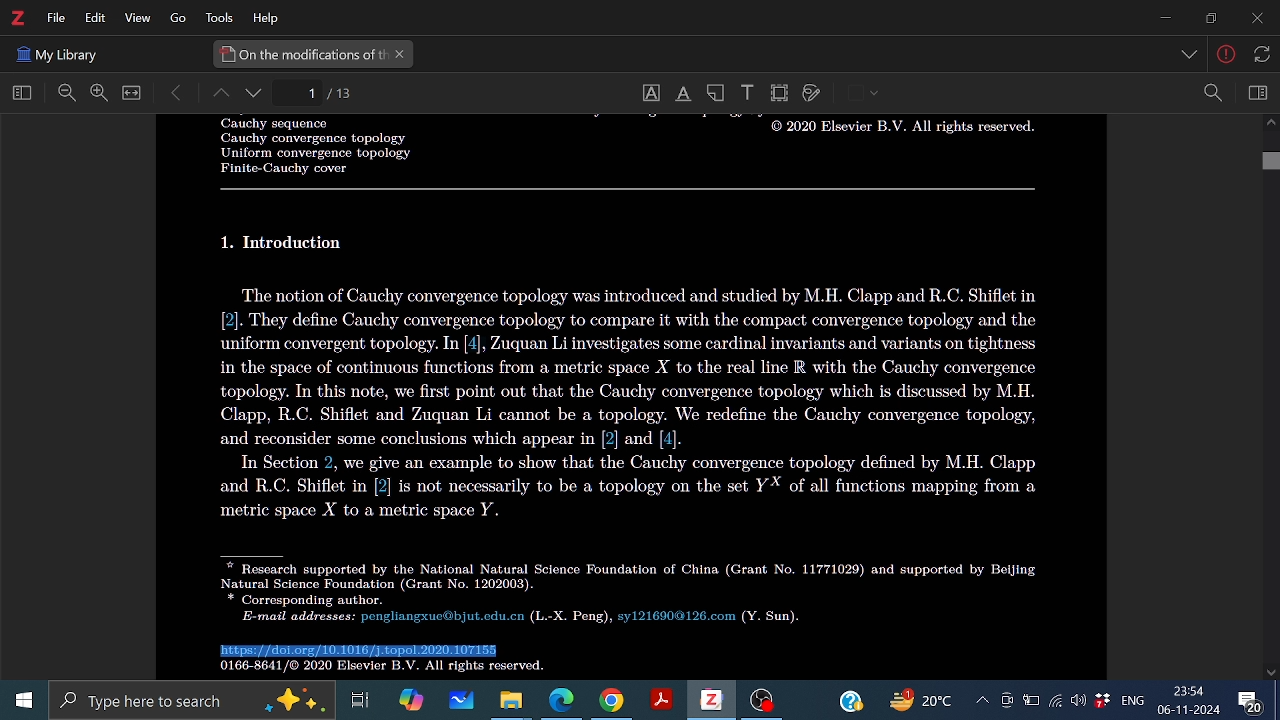  What do you see at coordinates (1056, 701) in the screenshot?
I see `Internet access` at bounding box center [1056, 701].